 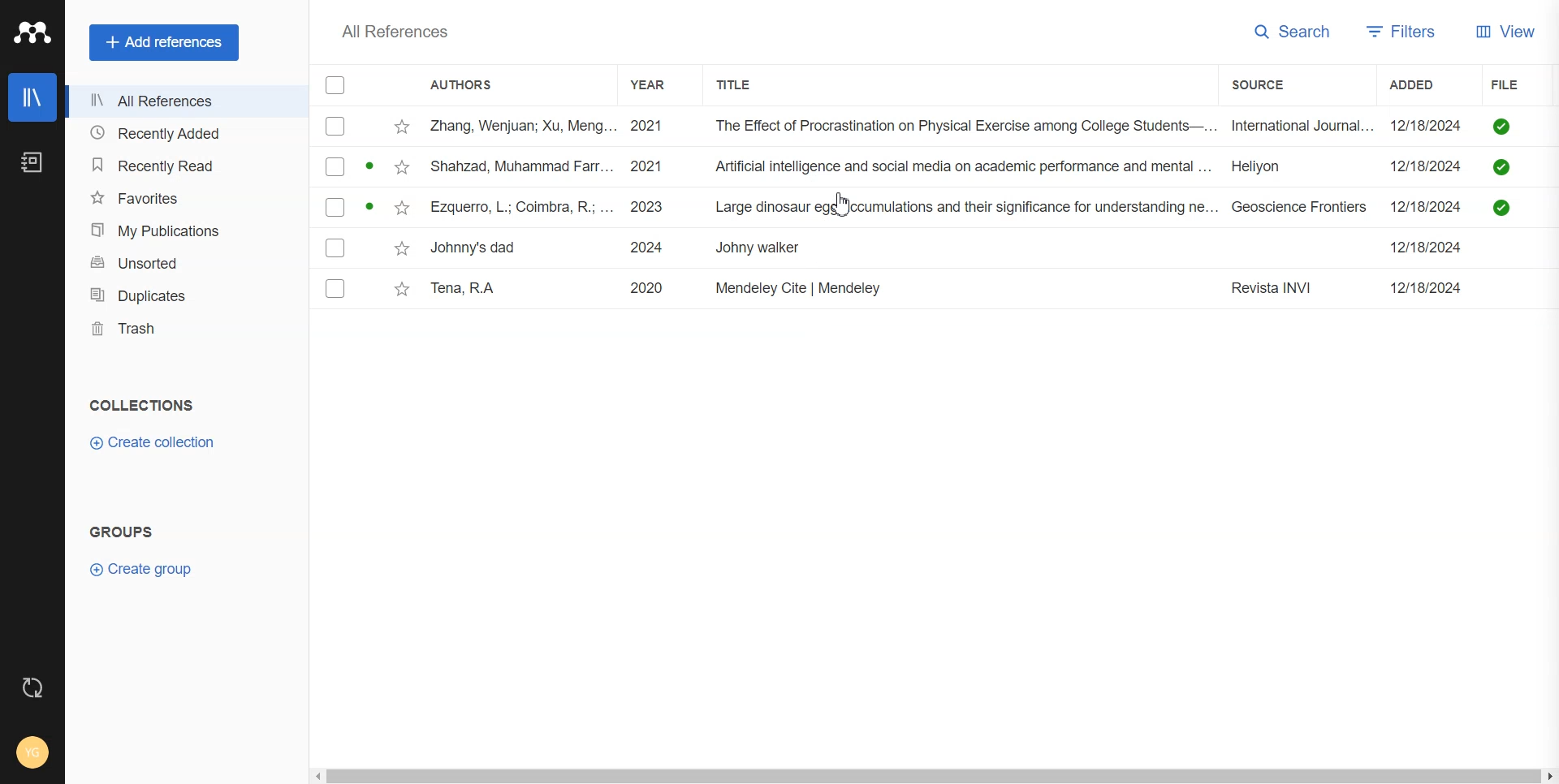 I want to click on Approved , so click(x=1501, y=167).